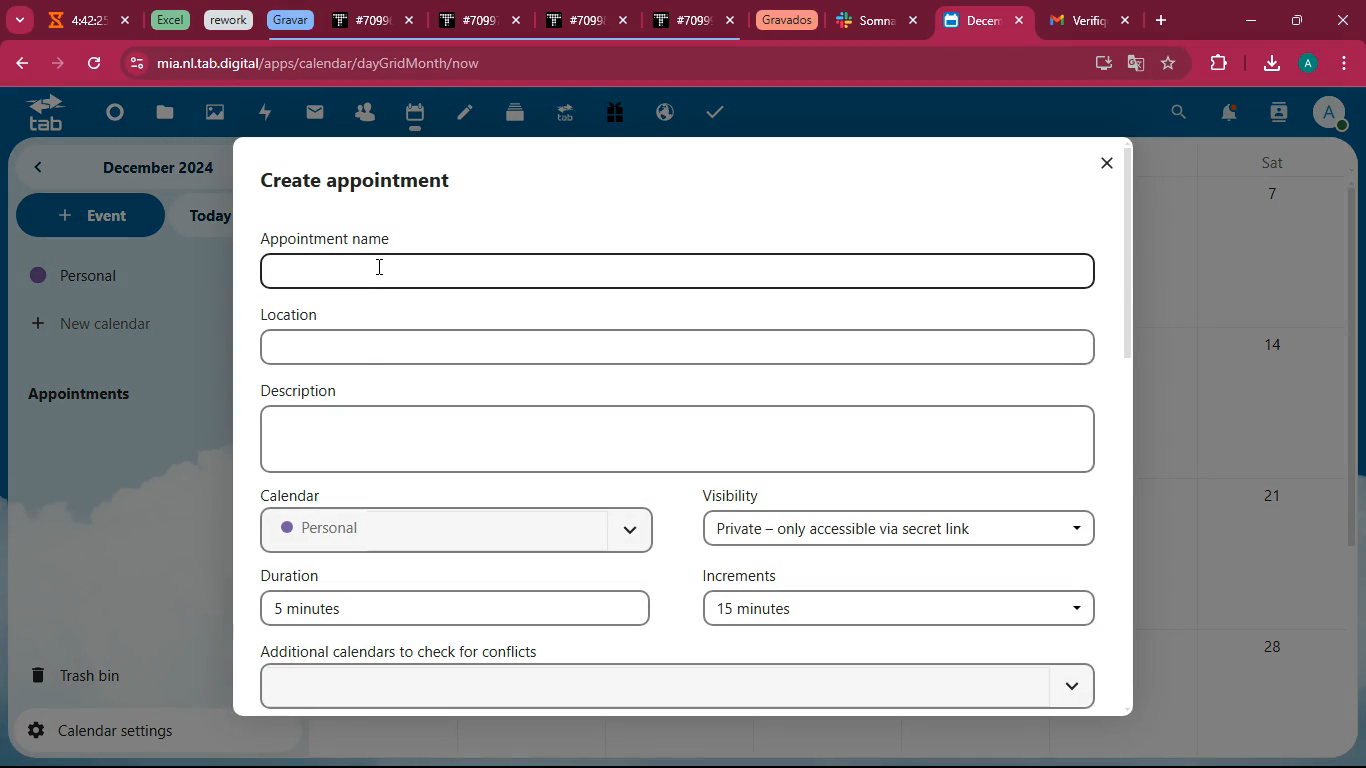  What do you see at coordinates (296, 494) in the screenshot?
I see `calendar` at bounding box center [296, 494].